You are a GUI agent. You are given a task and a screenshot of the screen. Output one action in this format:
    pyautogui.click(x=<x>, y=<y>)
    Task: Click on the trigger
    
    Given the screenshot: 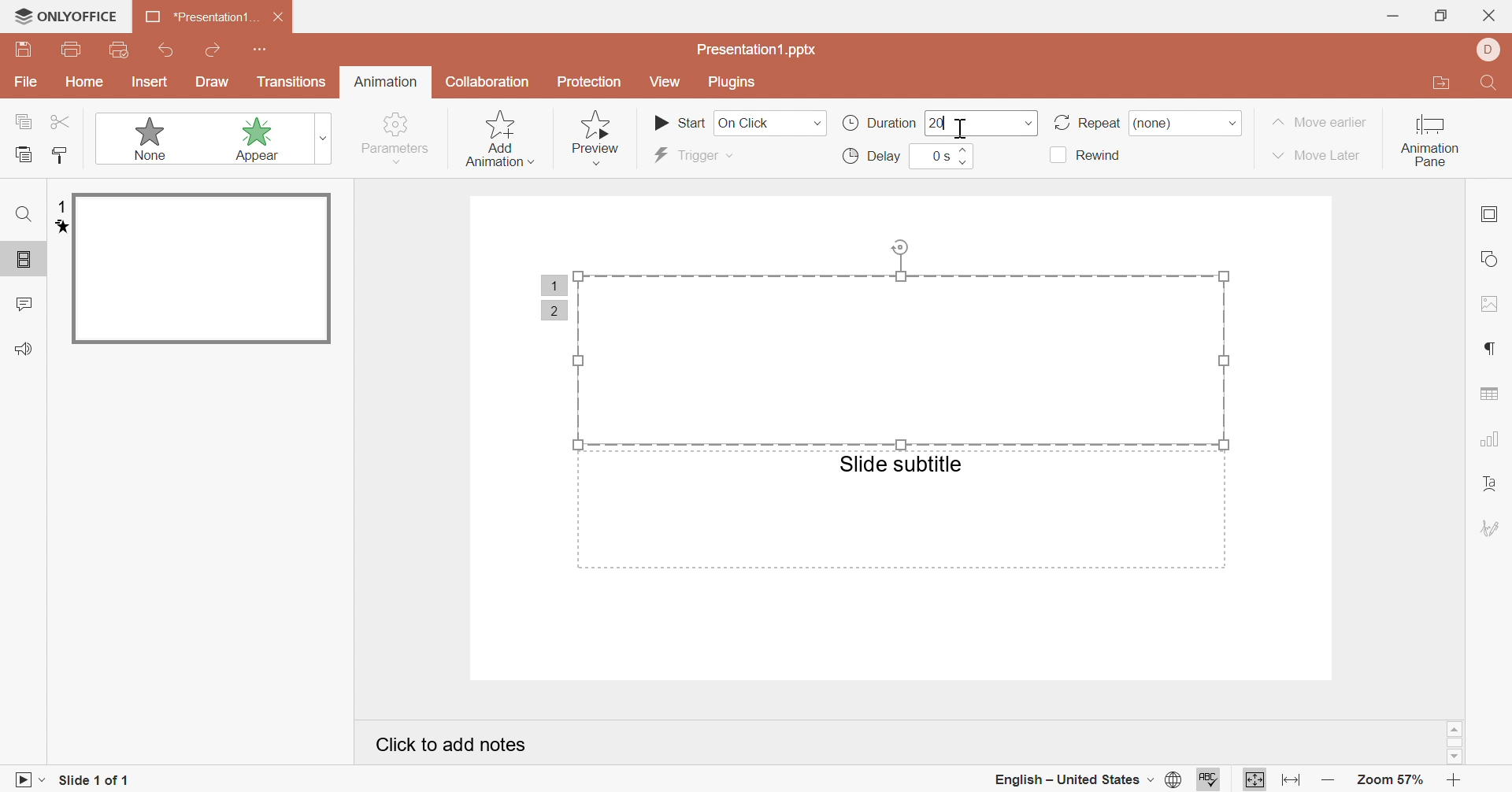 What is the action you would take?
    pyautogui.click(x=688, y=155)
    